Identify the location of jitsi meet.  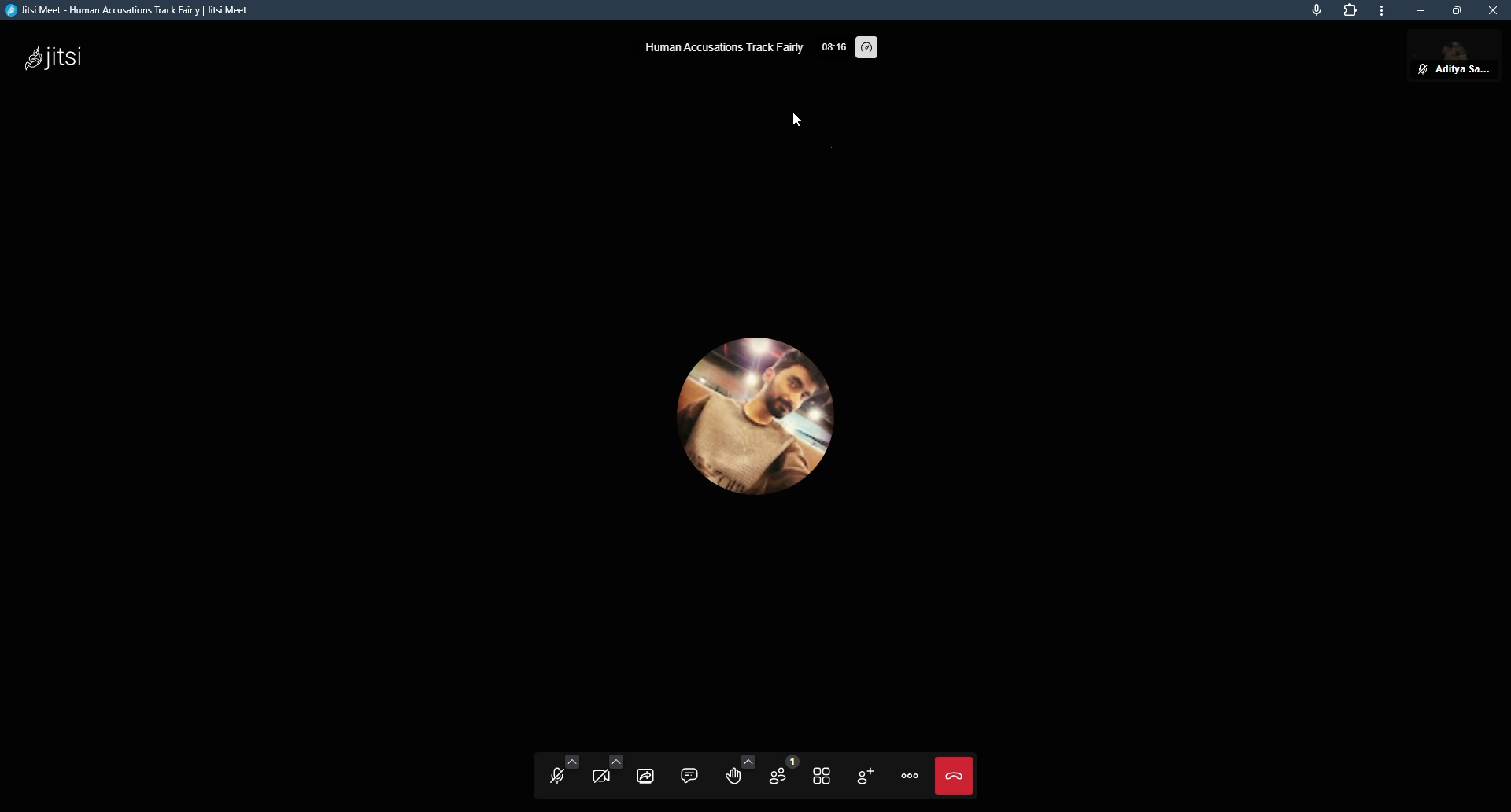
(135, 12).